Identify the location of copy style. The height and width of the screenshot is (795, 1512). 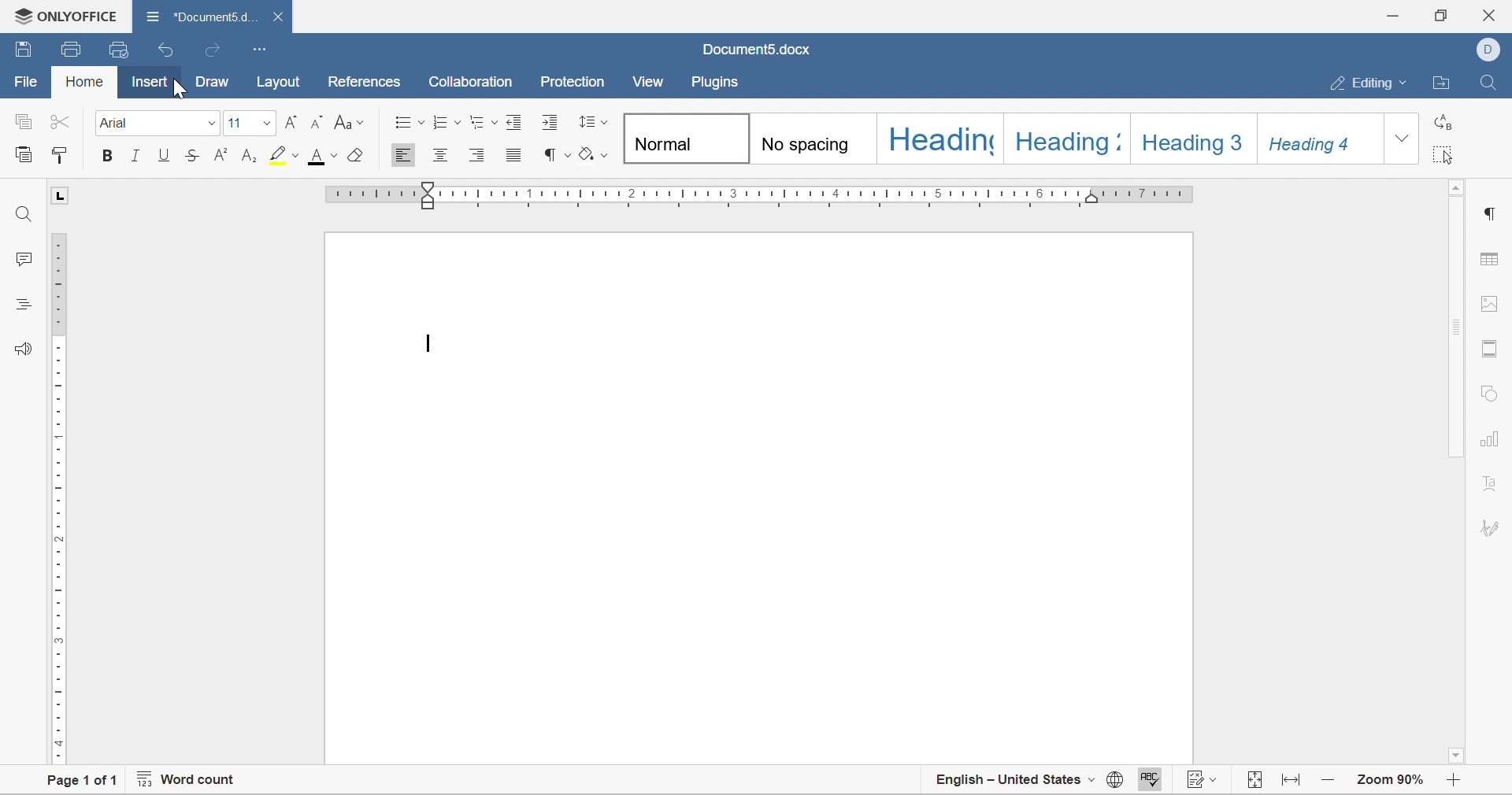
(63, 154).